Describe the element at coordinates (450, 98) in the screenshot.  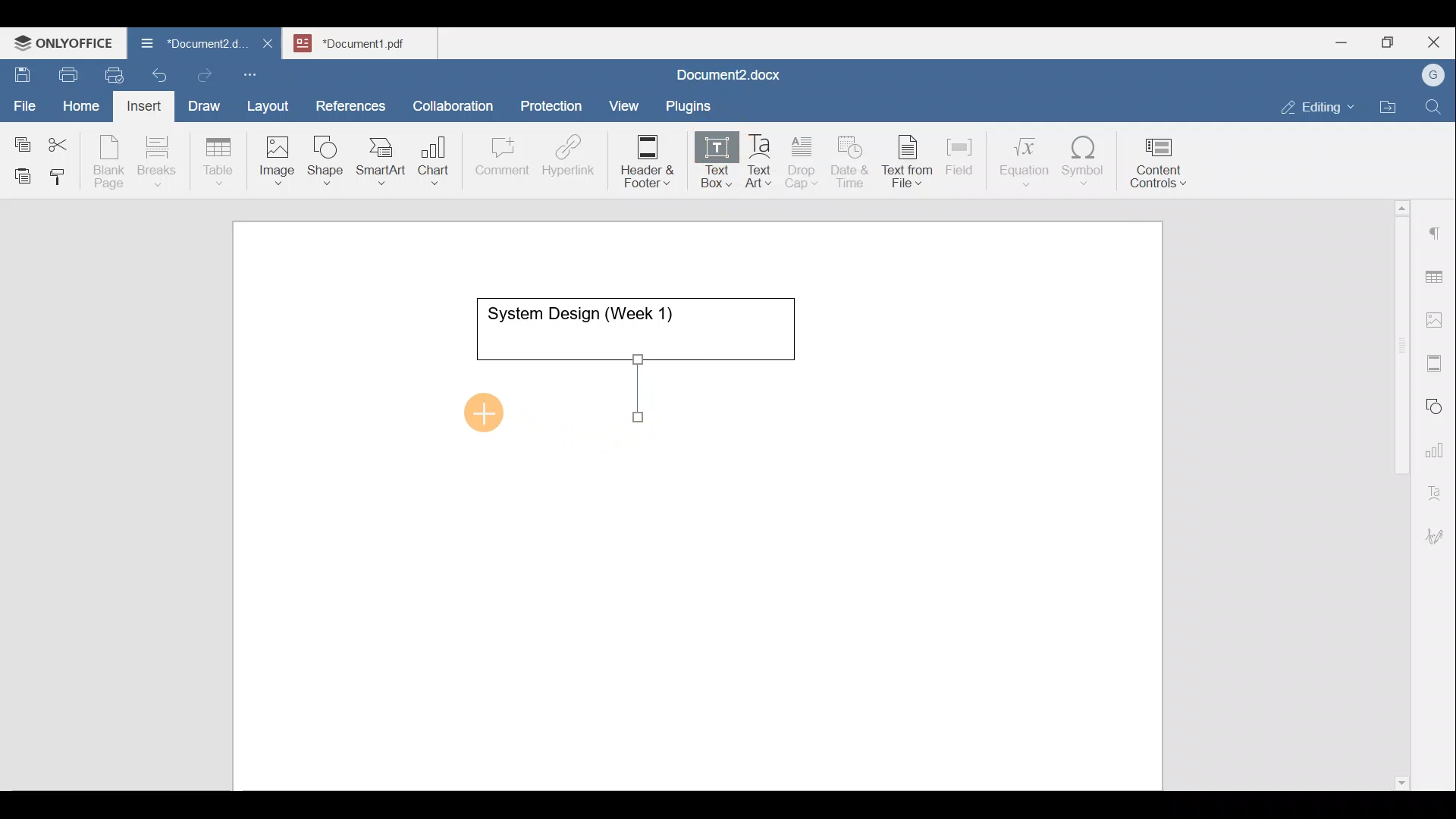
I see `Collaboration` at that location.